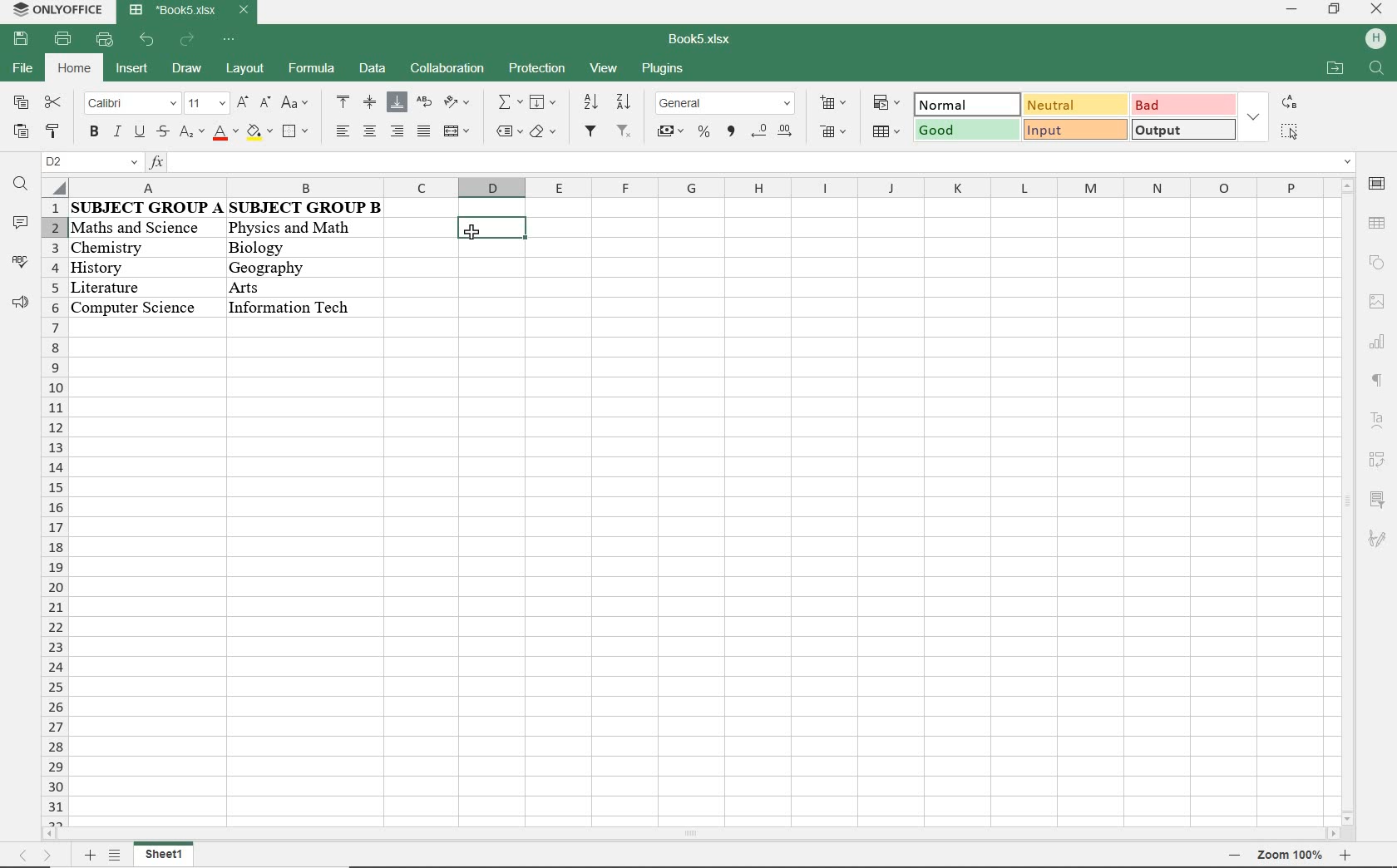 This screenshot has height=868, width=1397. What do you see at coordinates (240, 104) in the screenshot?
I see `increment font size` at bounding box center [240, 104].